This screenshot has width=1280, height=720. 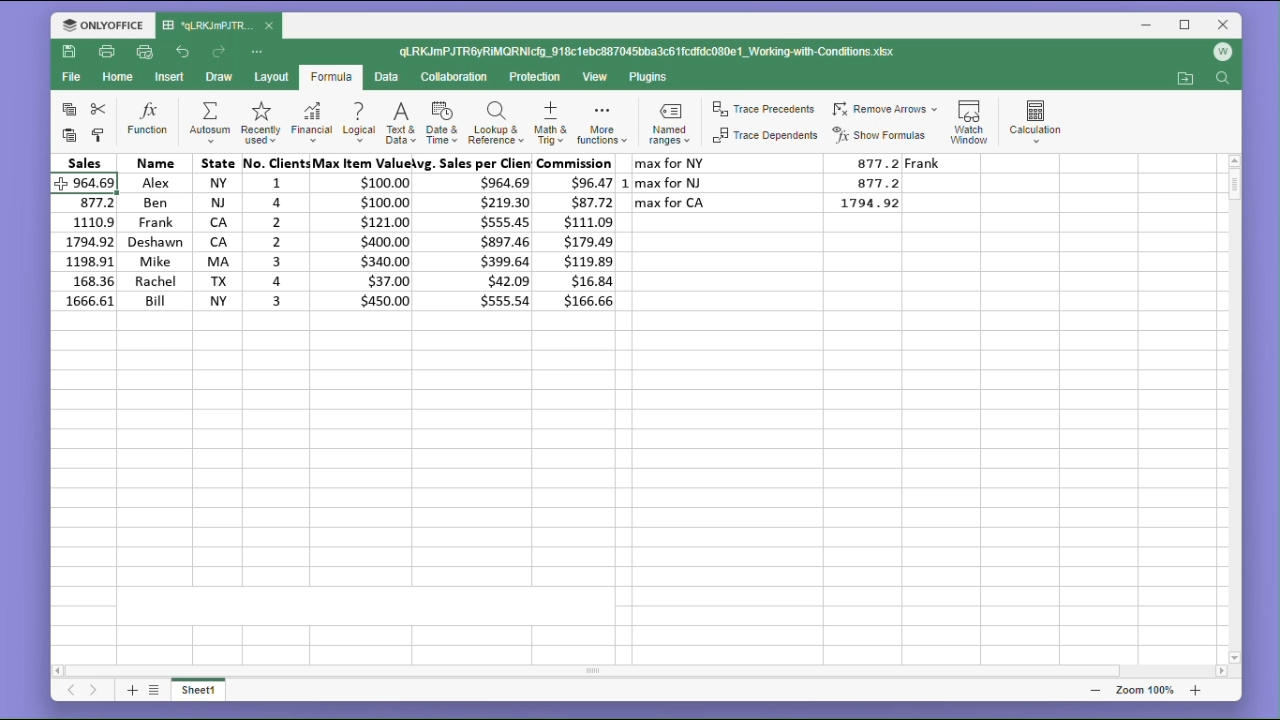 I want to click on names, so click(x=152, y=236).